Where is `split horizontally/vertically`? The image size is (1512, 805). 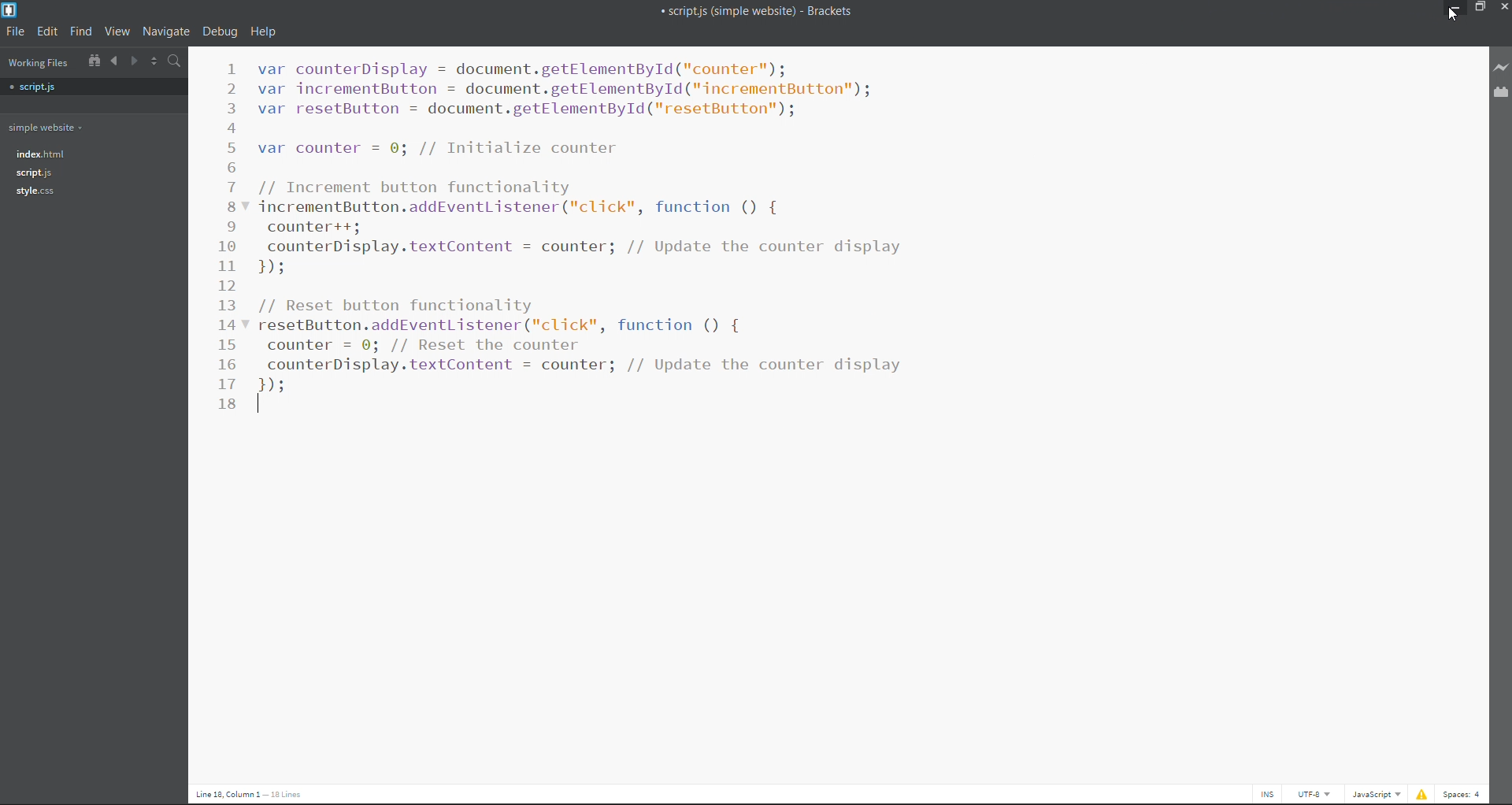 split horizontally/vertically is located at coordinates (155, 61).